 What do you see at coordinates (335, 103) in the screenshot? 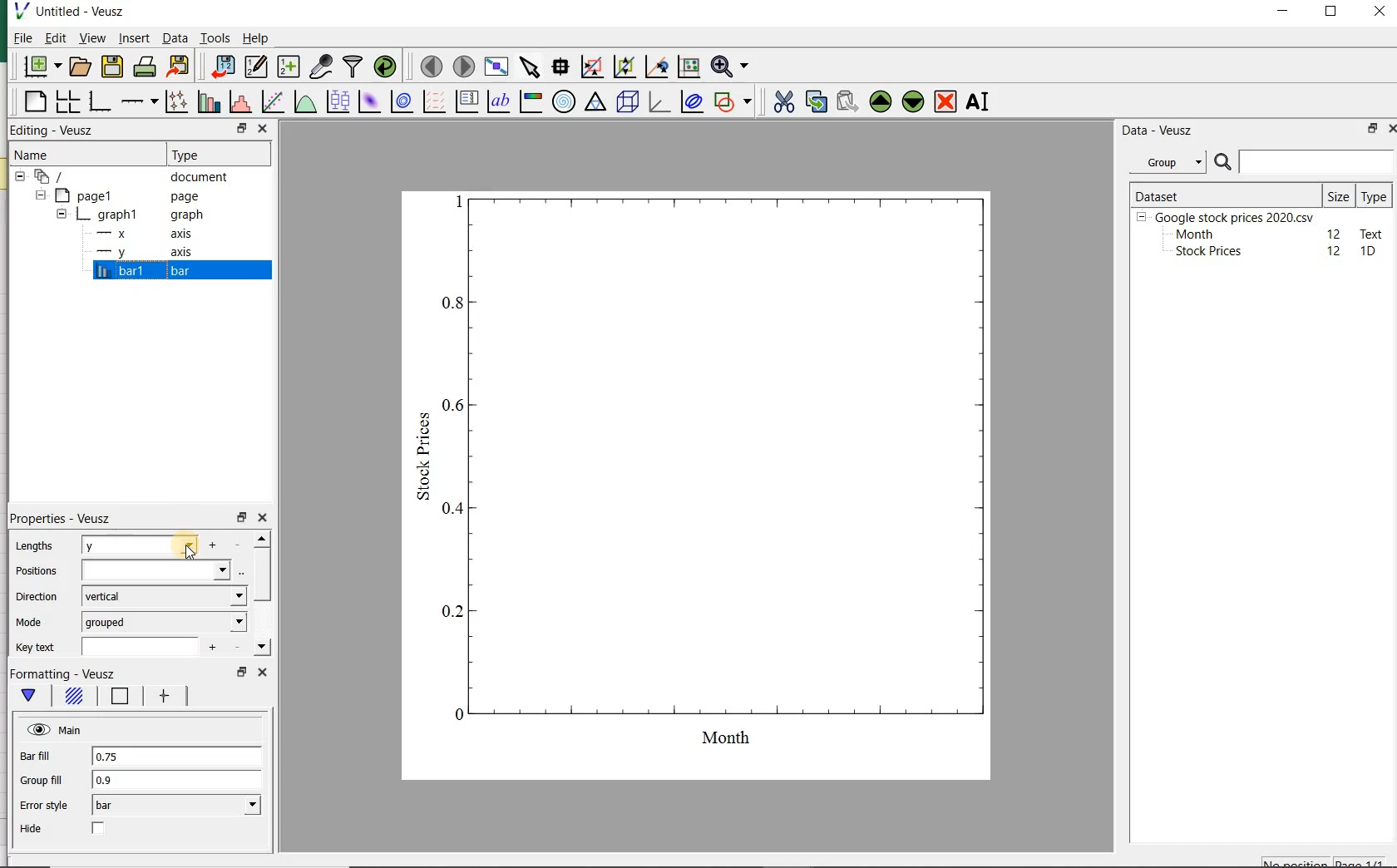
I see `plot box plots` at bounding box center [335, 103].